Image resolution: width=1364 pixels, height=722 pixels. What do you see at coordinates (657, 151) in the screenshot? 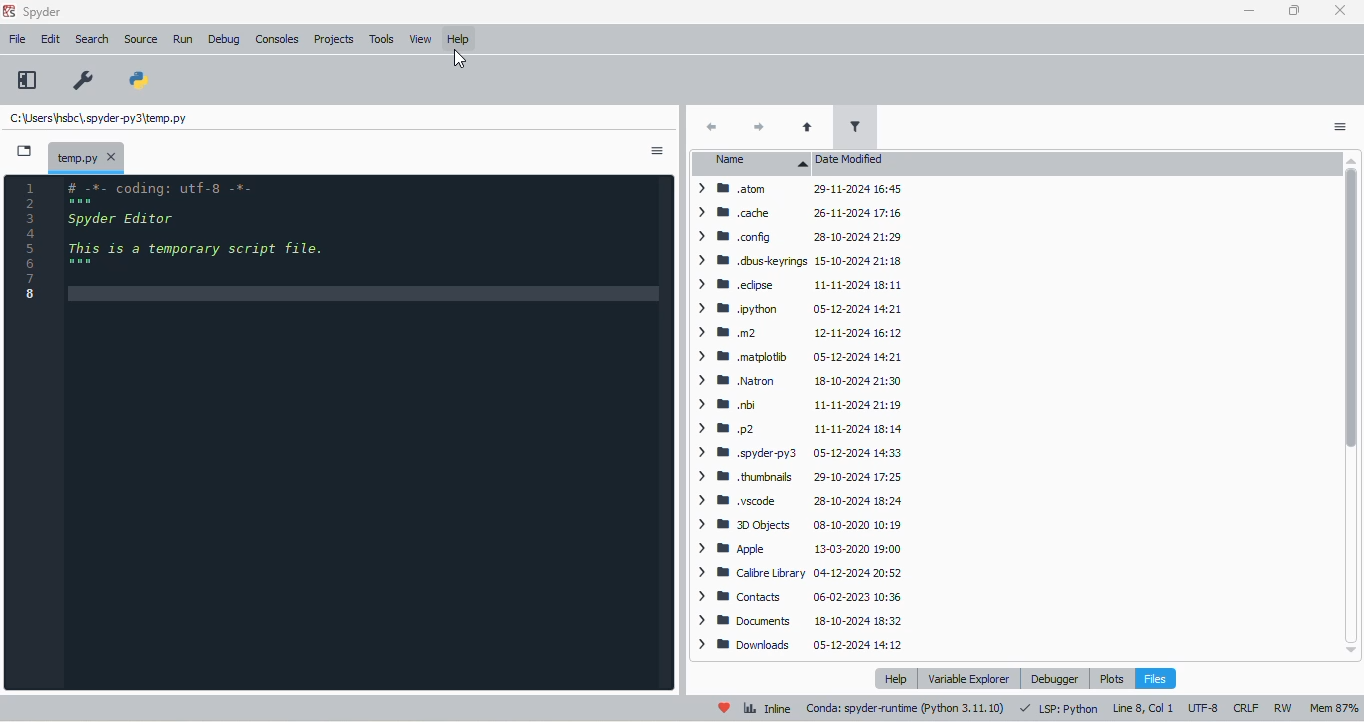
I see `options` at bounding box center [657, 151].